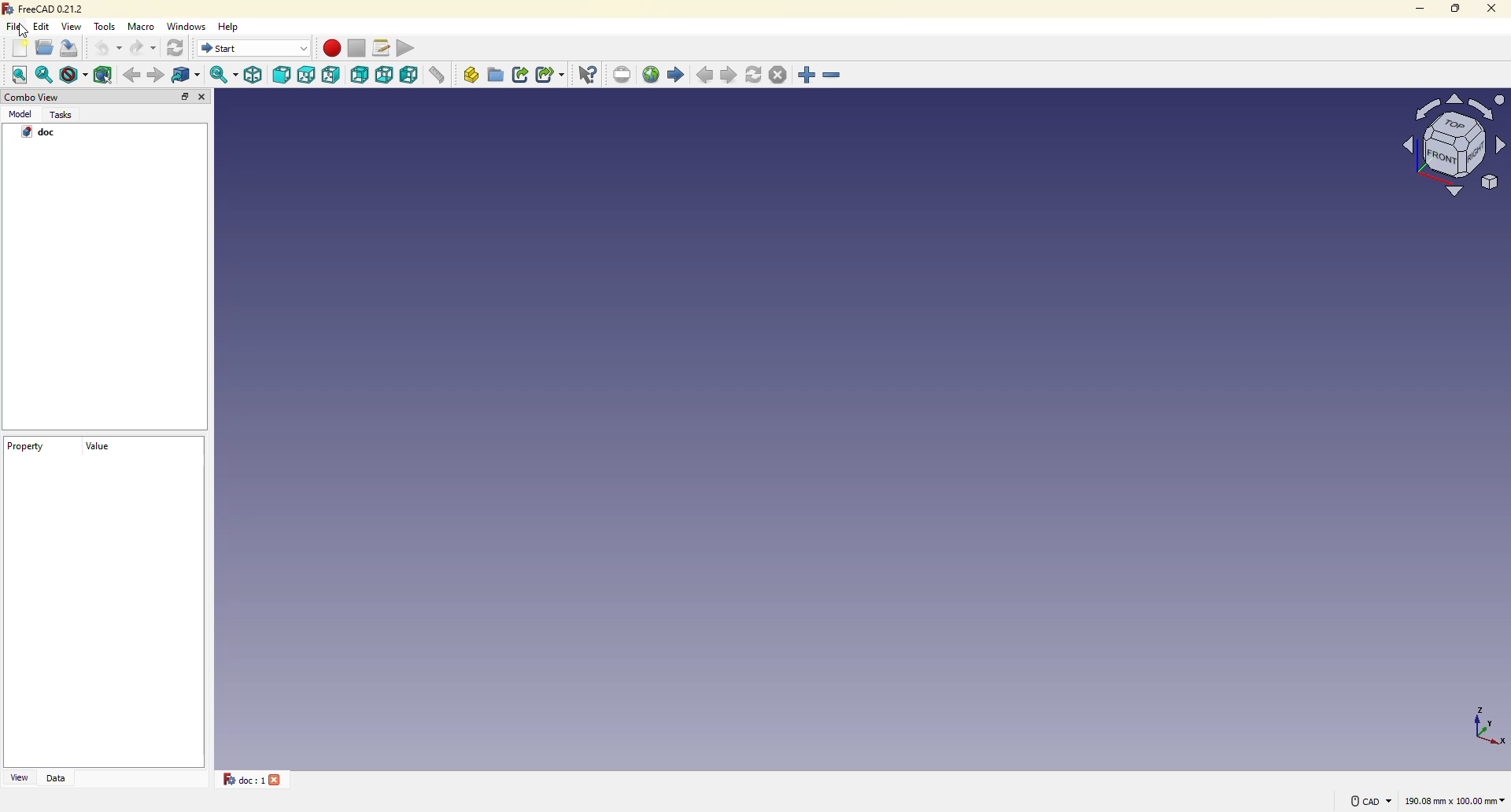  What do you see at coordinates (45, 9) in the screenshot?
I see `freecad` at bounding box center [45, 9].